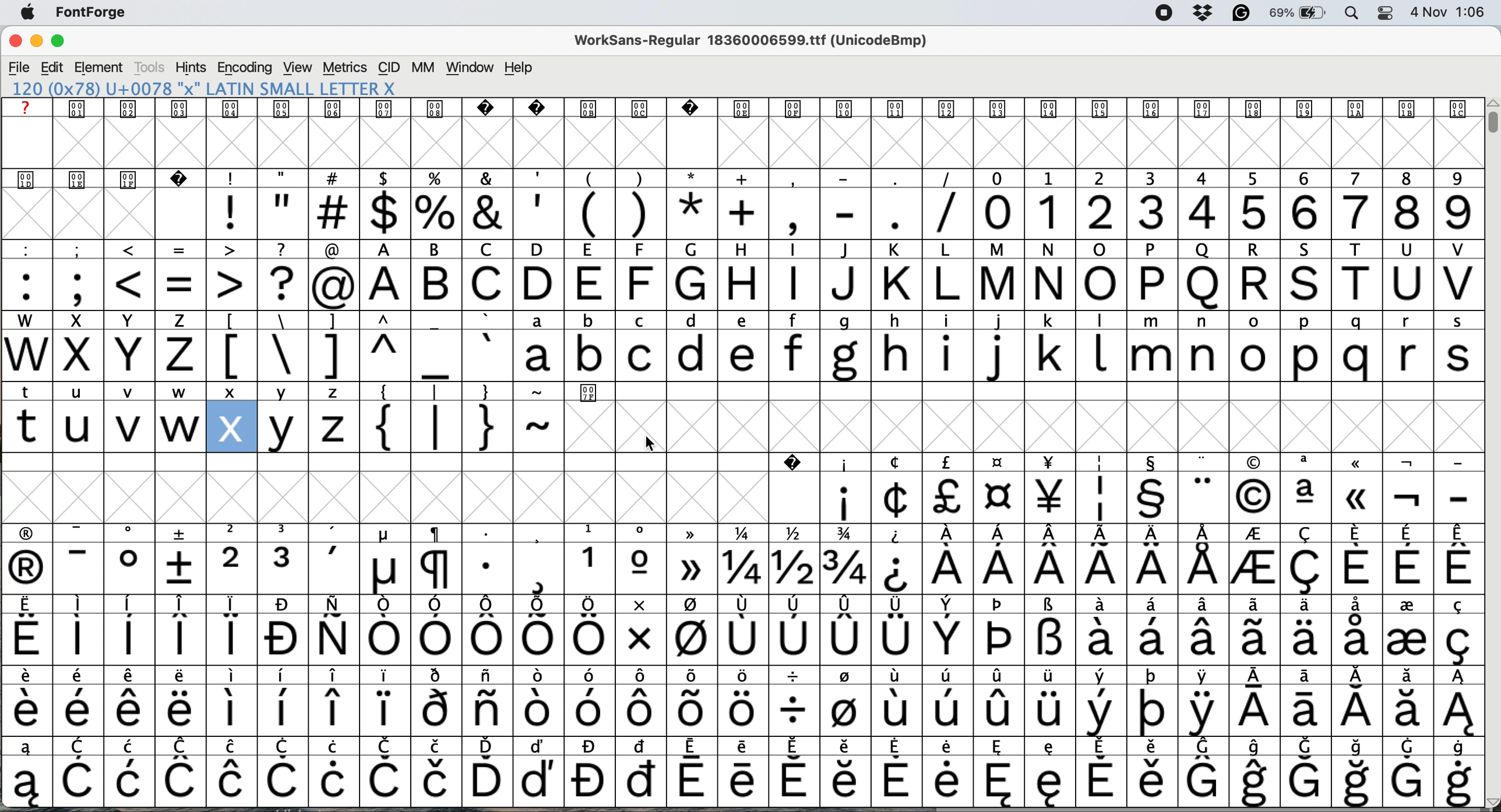  What do you see at coordinates (429, 495) in the screenshot?
I see `glyph grid` at bounding box center [429, 495].